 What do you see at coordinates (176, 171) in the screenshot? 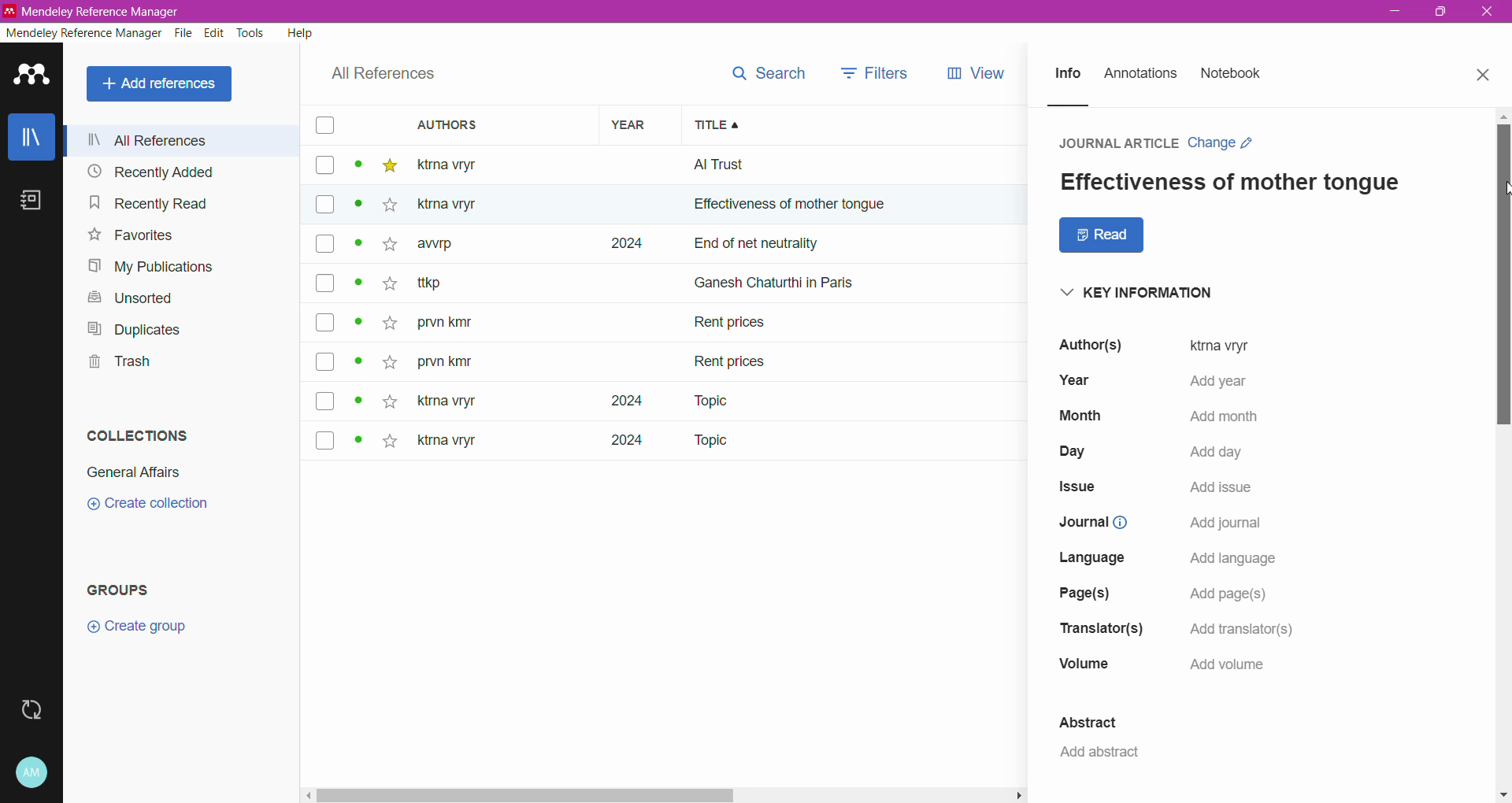
I see `Recently Added` at bounding box center [176, 171].